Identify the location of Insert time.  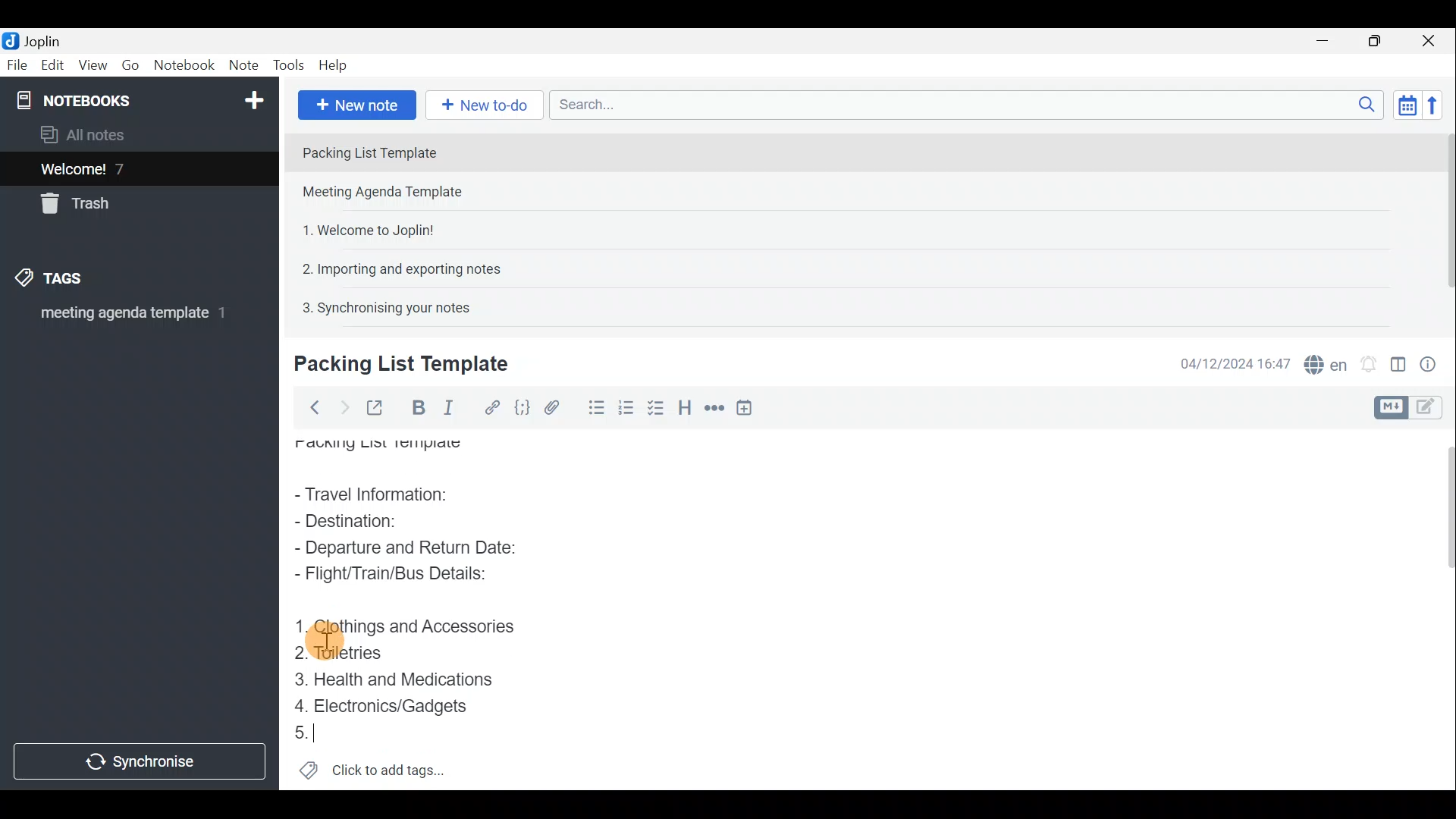
(749, 407).